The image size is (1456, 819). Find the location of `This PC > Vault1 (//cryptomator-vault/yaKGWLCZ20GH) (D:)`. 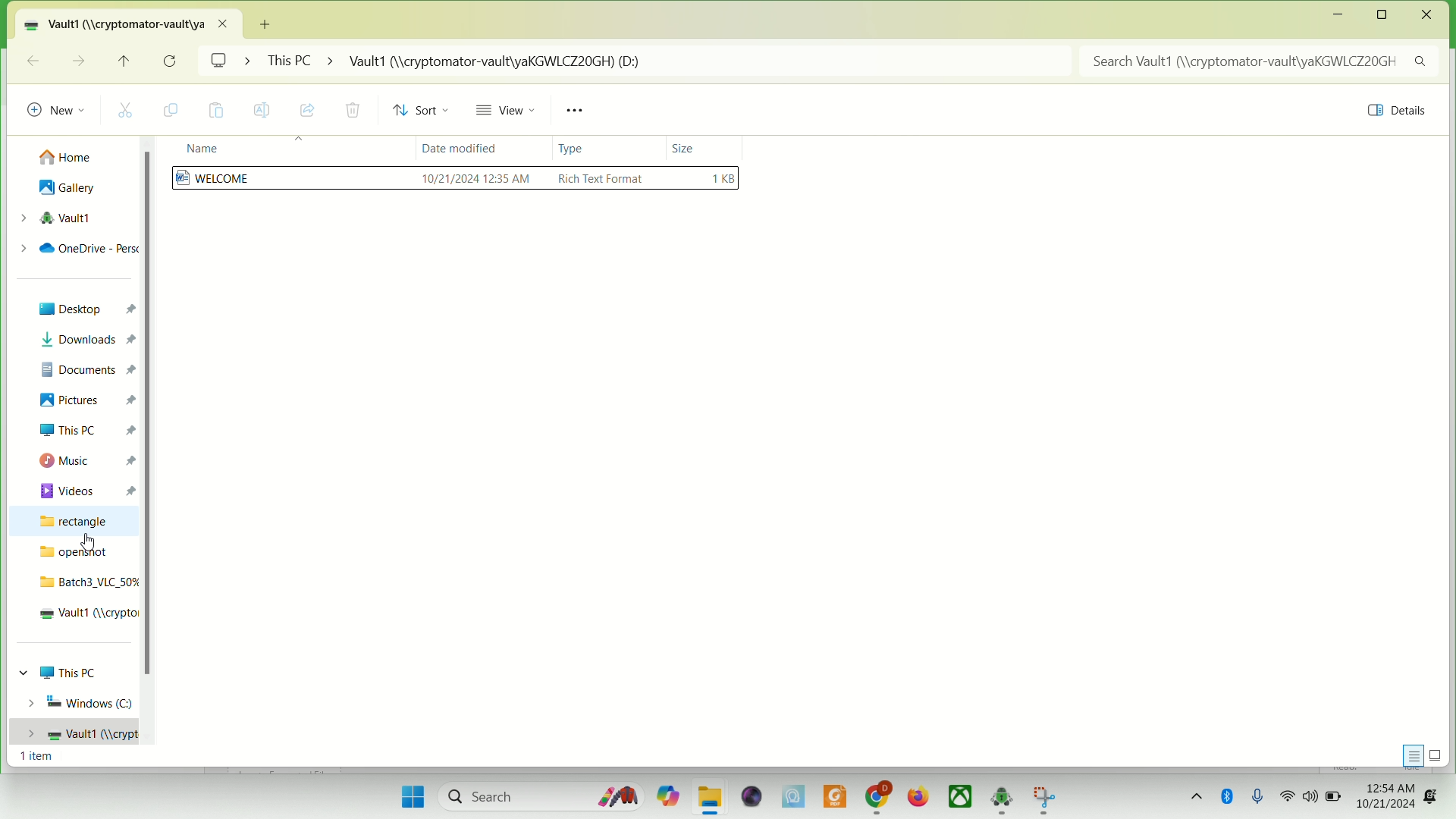

This PC > Vault1 (//cryptomator-vault/yaKGWLCZ20GH) (D:) is located at coordinates (668, 63).